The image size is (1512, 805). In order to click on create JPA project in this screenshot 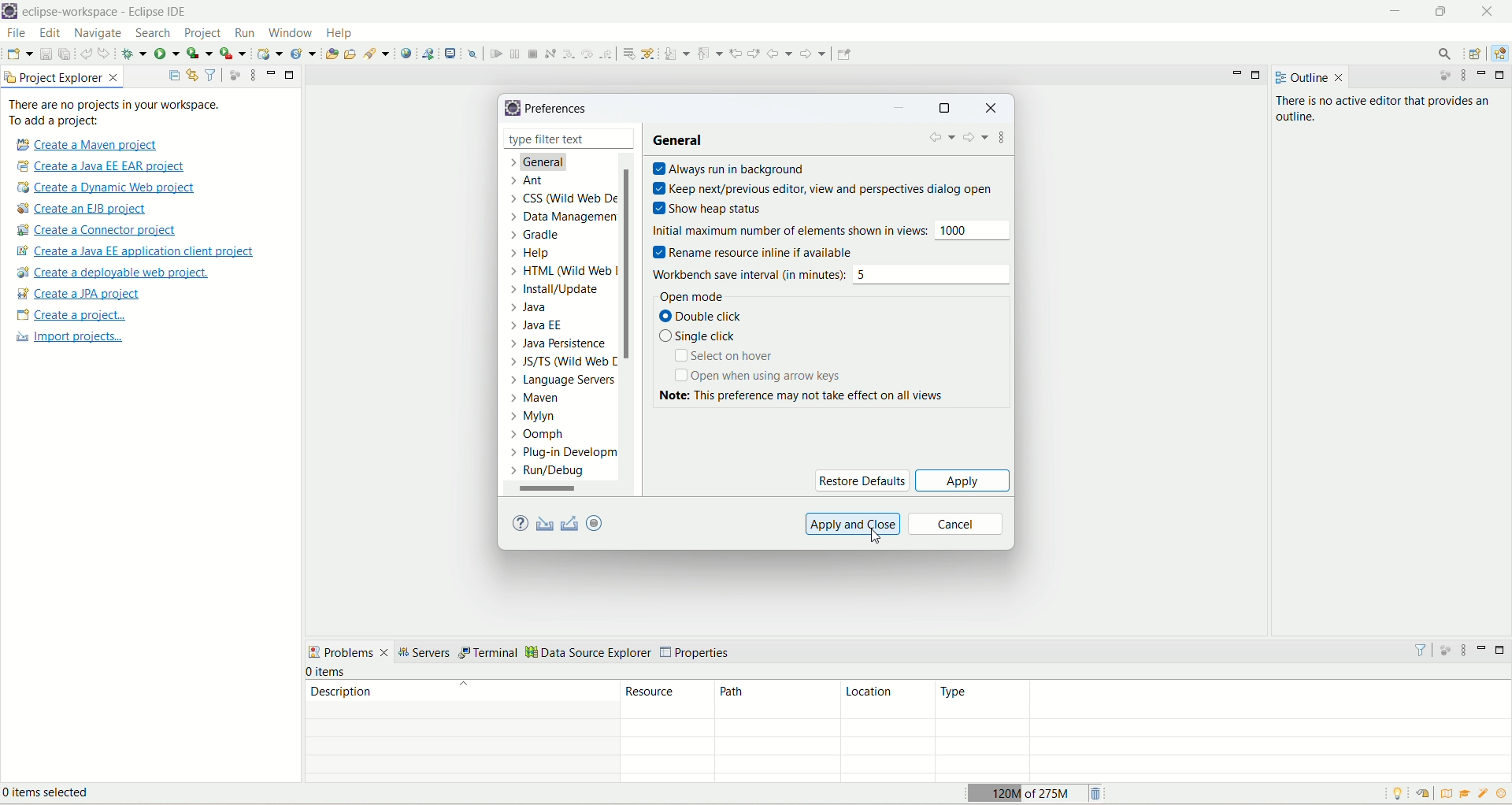, I will do `click(80, 294)`.